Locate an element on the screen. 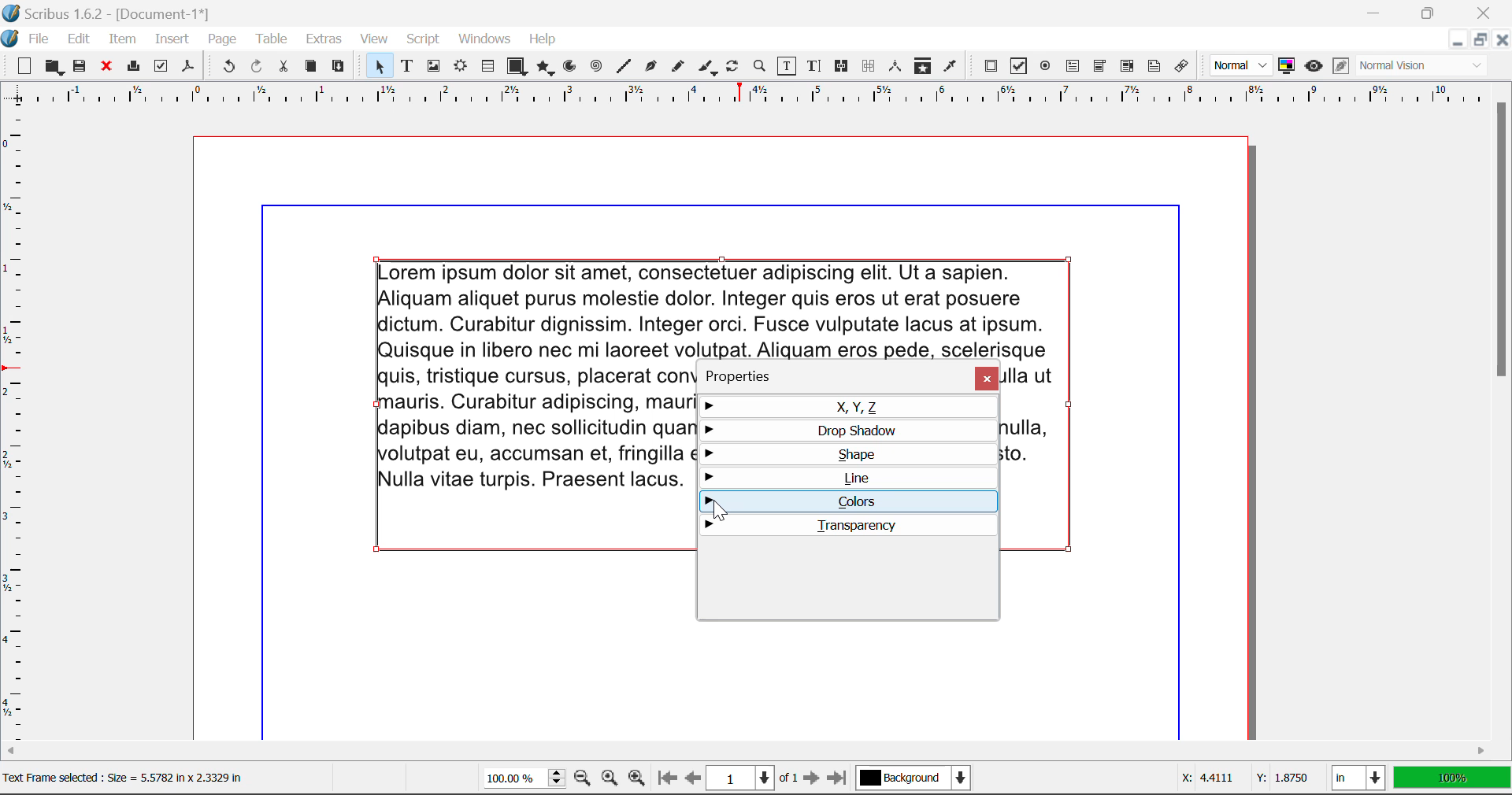 The height and width of the screenshot is (795, 1512). Close is located at coordinates (1501, 39).